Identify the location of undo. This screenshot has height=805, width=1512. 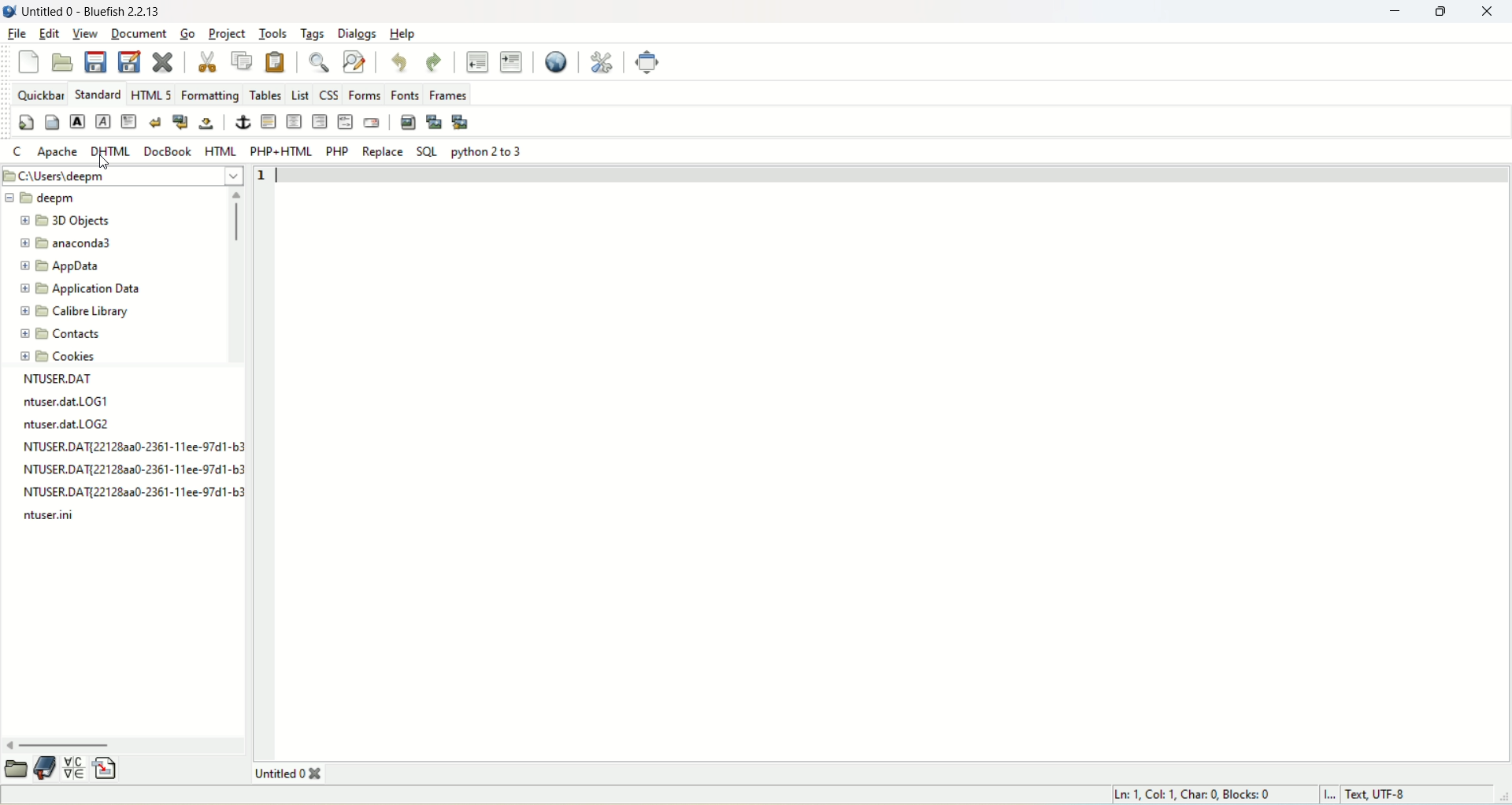
(401, 61).